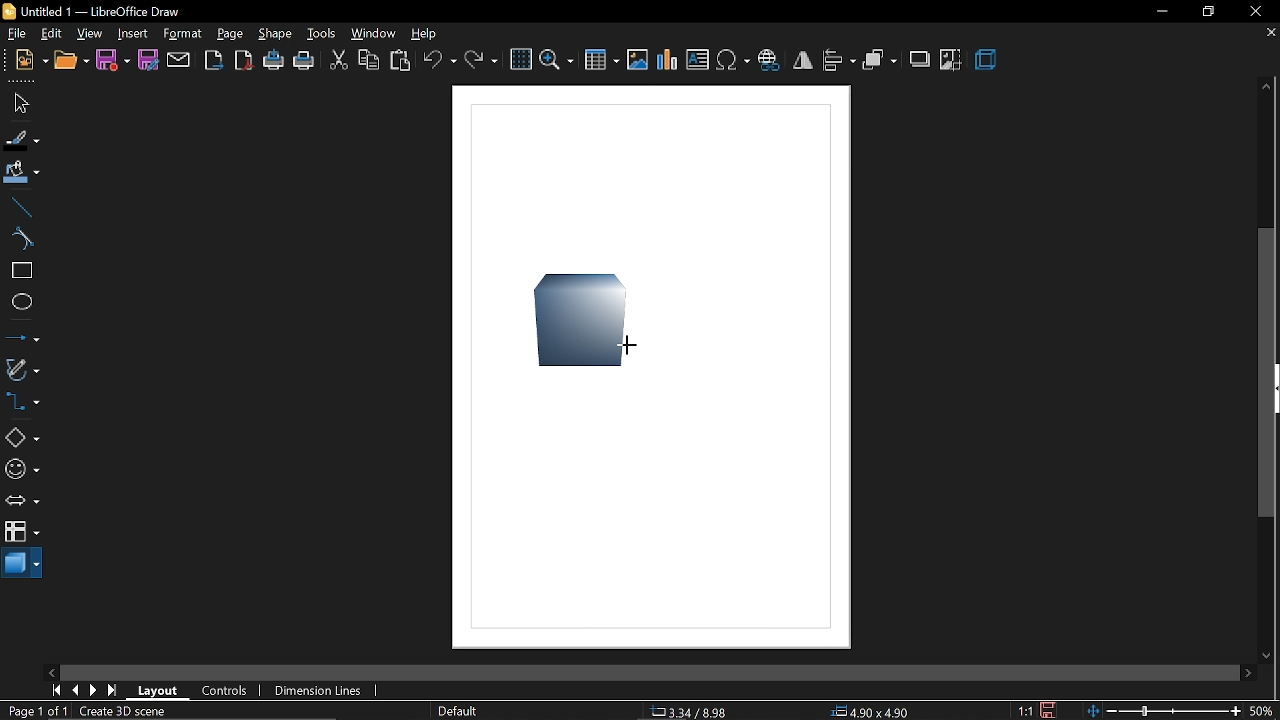 This screenshot has width=1280, height=720. What do you see at coordinates (184, 35) in the screenshot?
I see `format` at bounding box center [184, 35].